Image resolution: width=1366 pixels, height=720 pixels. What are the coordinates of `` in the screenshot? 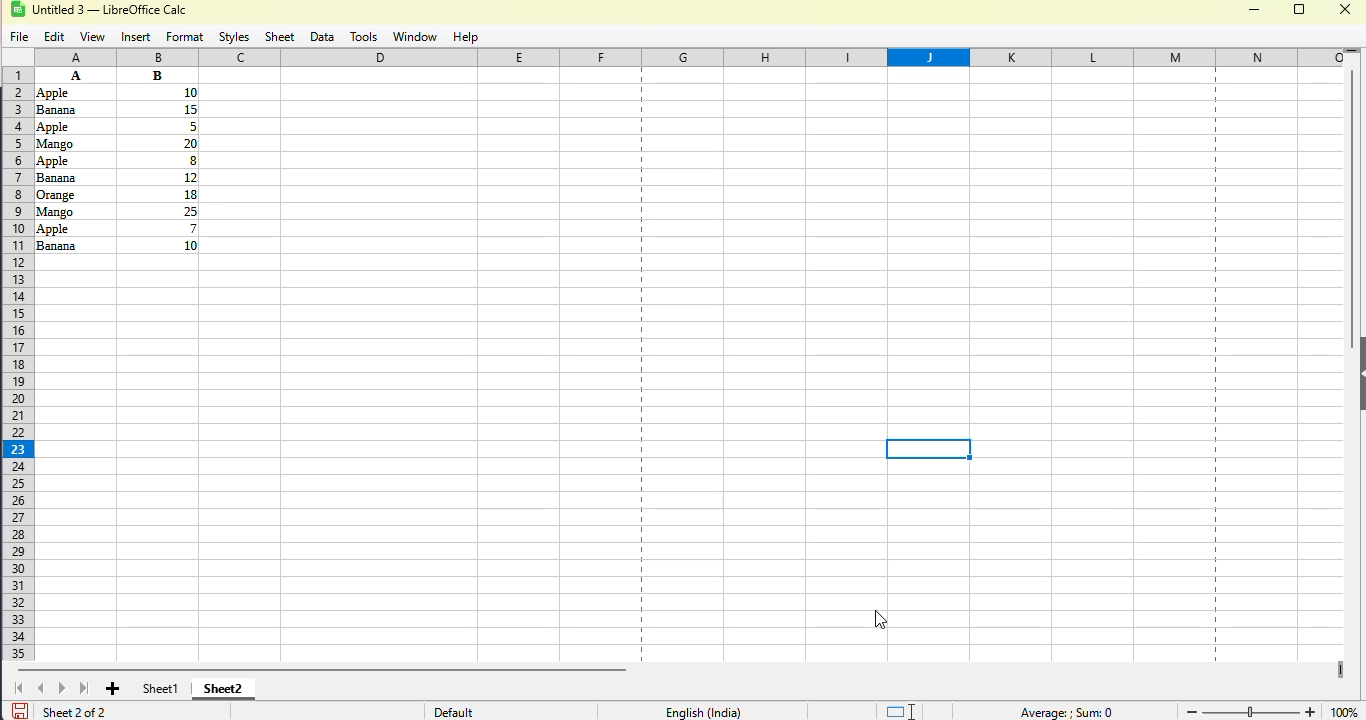 It's located at (71, 110).